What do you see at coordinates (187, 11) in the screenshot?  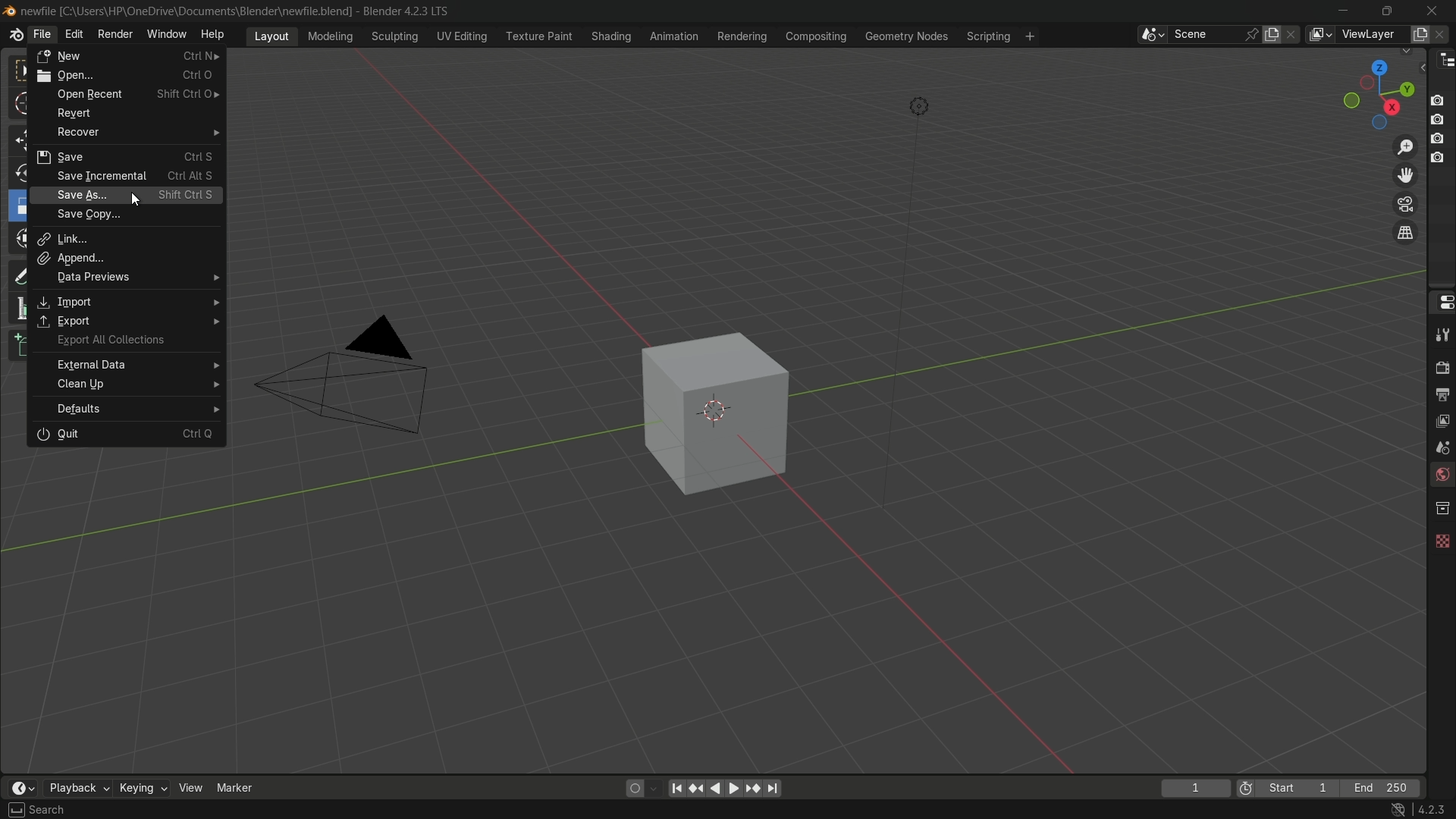 I see `C:\User:\\HP\Onedrive\Documents\Blender` at bounding box center [187, 11].